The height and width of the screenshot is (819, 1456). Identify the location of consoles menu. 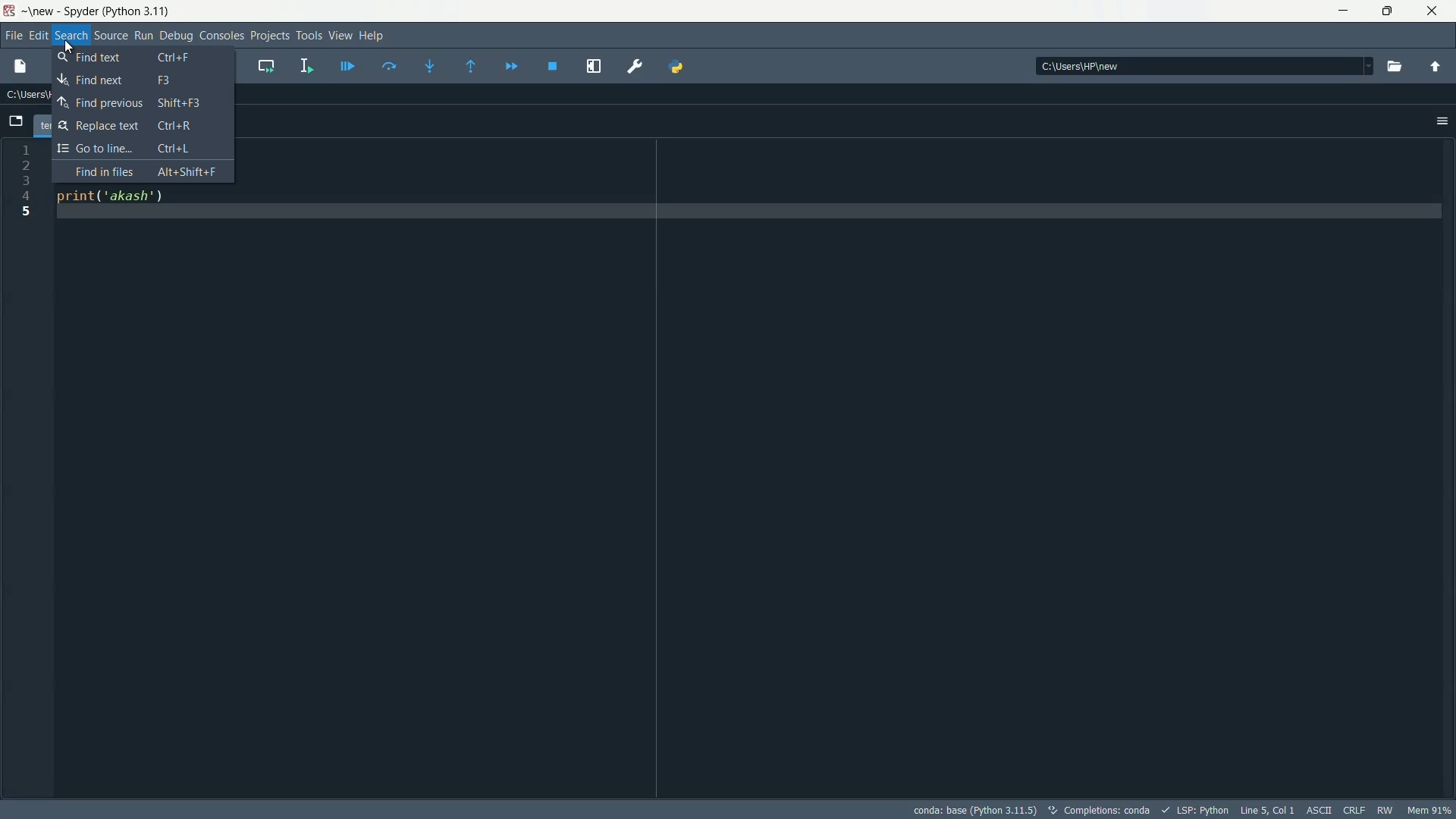
(219, 34).